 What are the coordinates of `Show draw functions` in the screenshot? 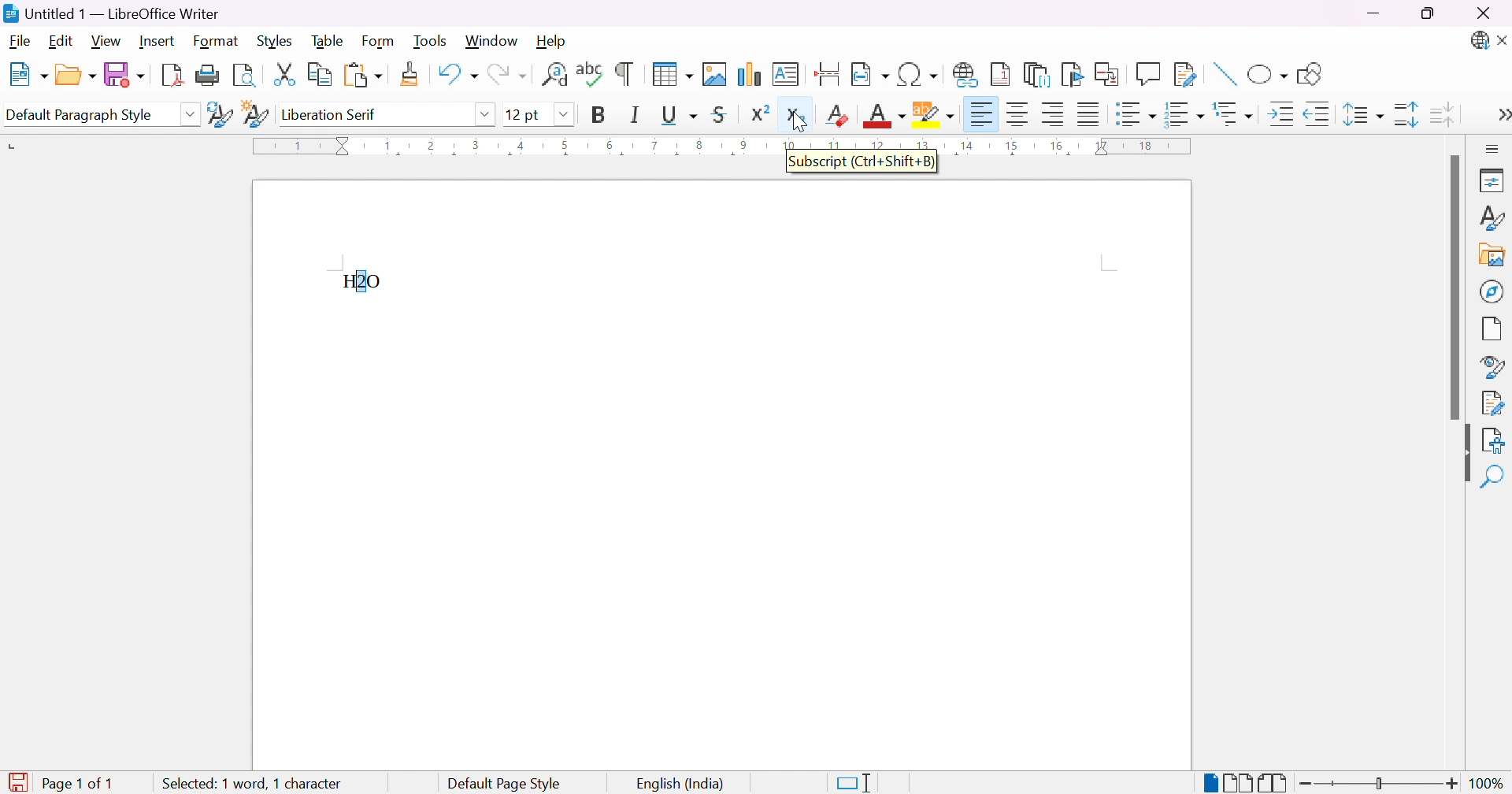 It's located at (1307, 74).